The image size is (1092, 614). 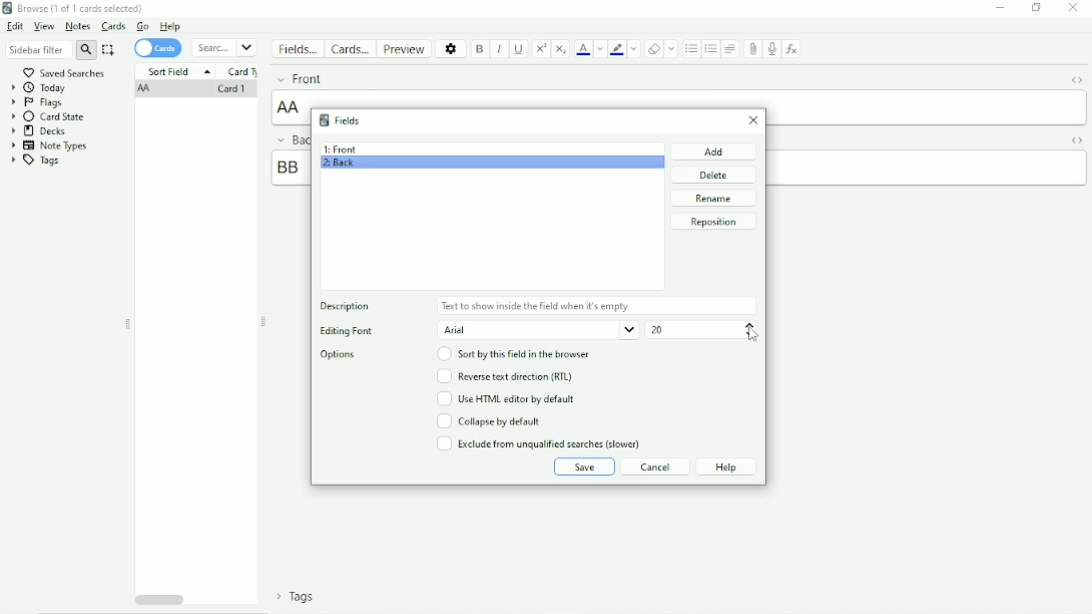 What do you see at coordinates (584, 467) in the screenshot?
I see `Save` at bounding box center [584, 467].